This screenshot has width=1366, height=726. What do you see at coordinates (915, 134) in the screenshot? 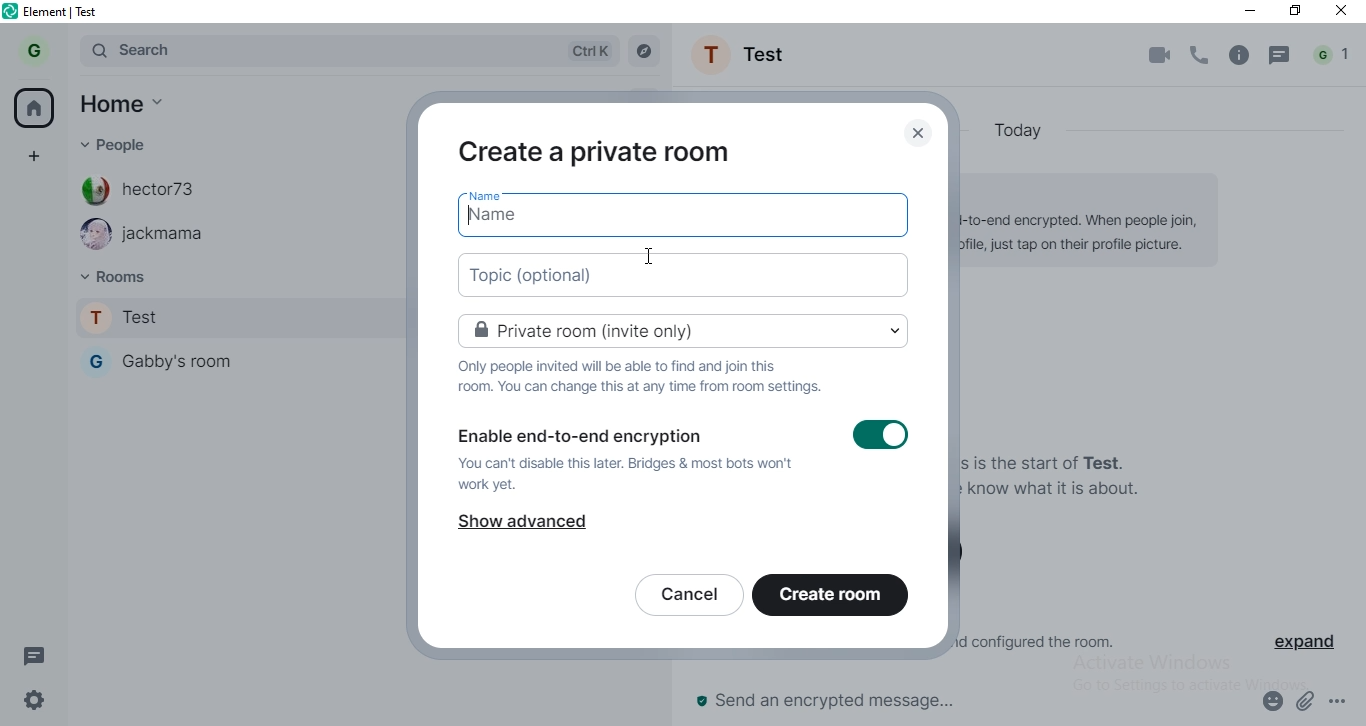
I see `close` at bounding box center [915, 134].